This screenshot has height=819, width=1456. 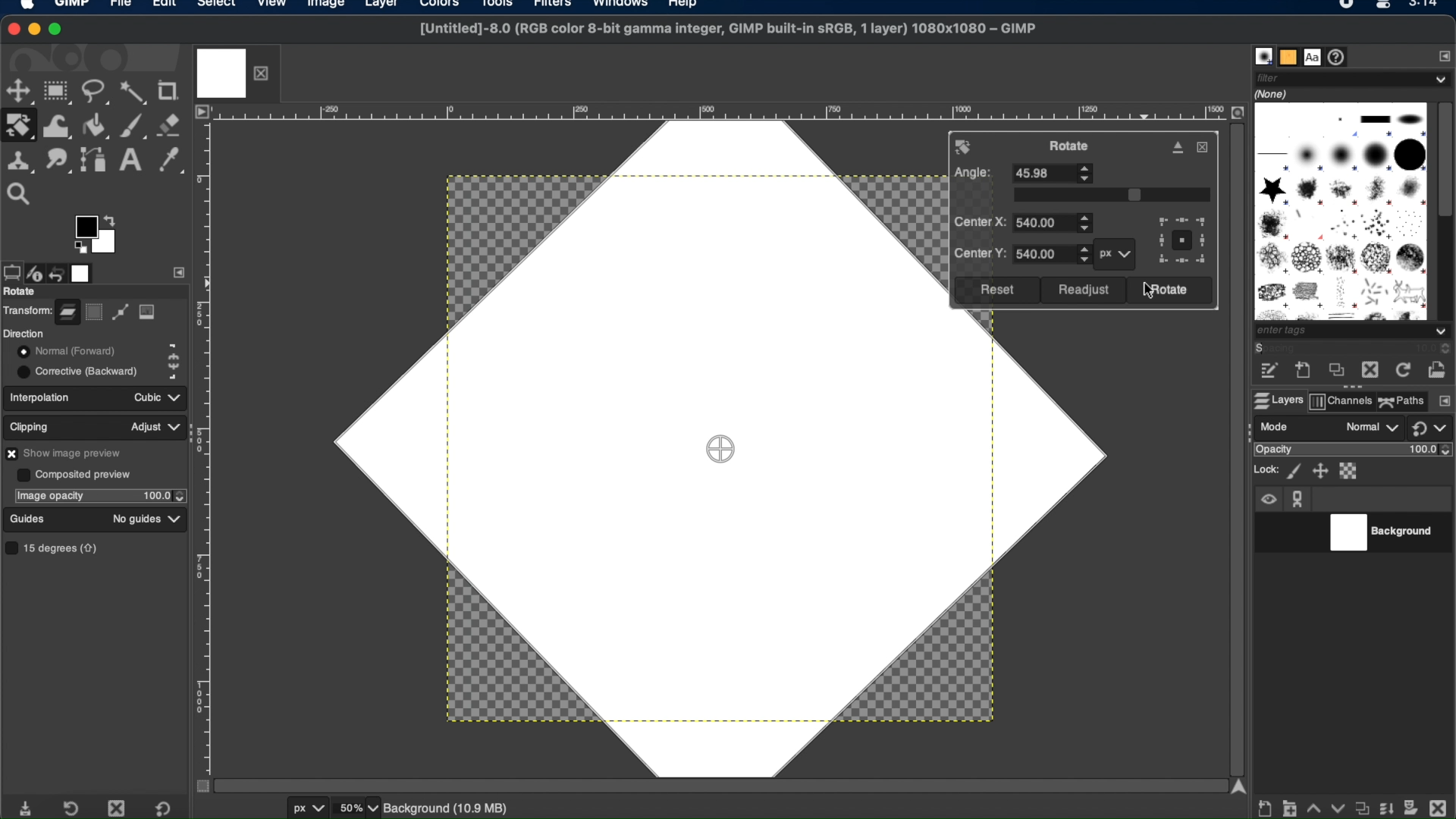 What do you see at coordinates (216, 6) in the screenshot?
I see `select` at bounding box center [216, 6].